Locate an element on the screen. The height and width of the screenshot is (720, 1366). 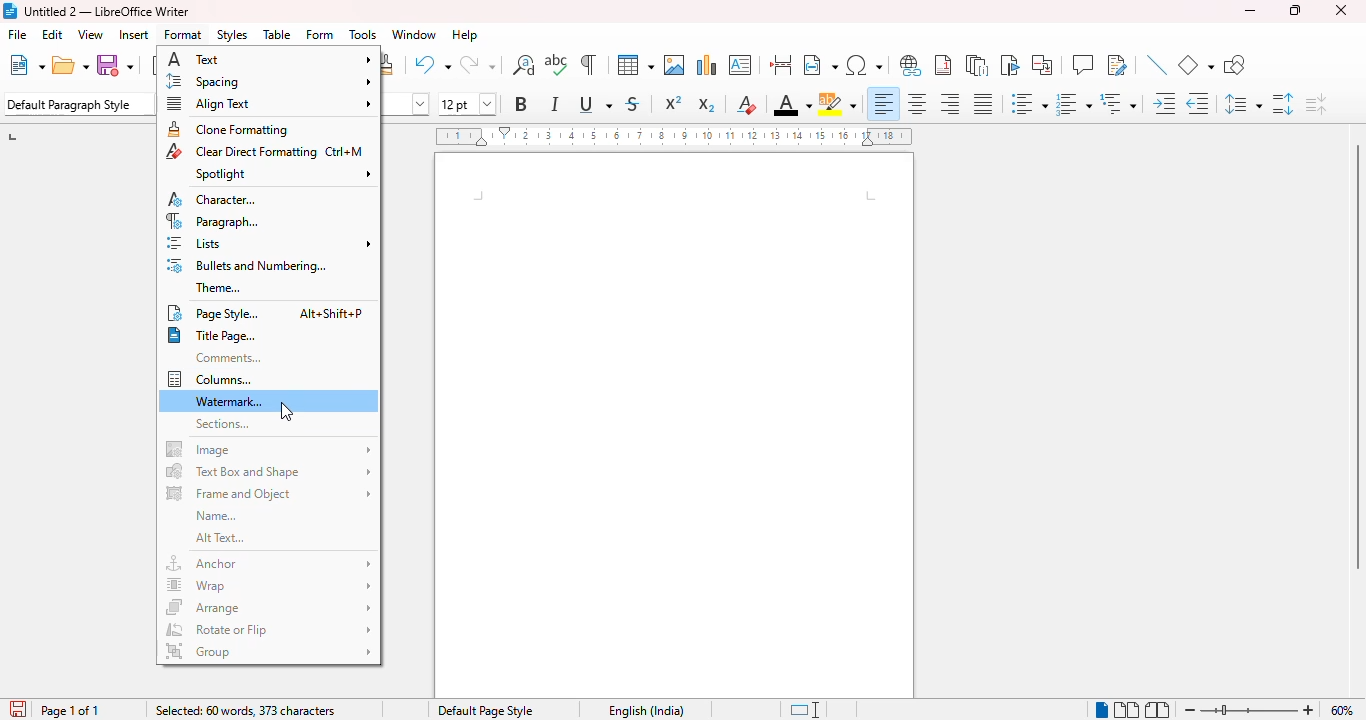
strikethrough is located at coordinates (632, 104).